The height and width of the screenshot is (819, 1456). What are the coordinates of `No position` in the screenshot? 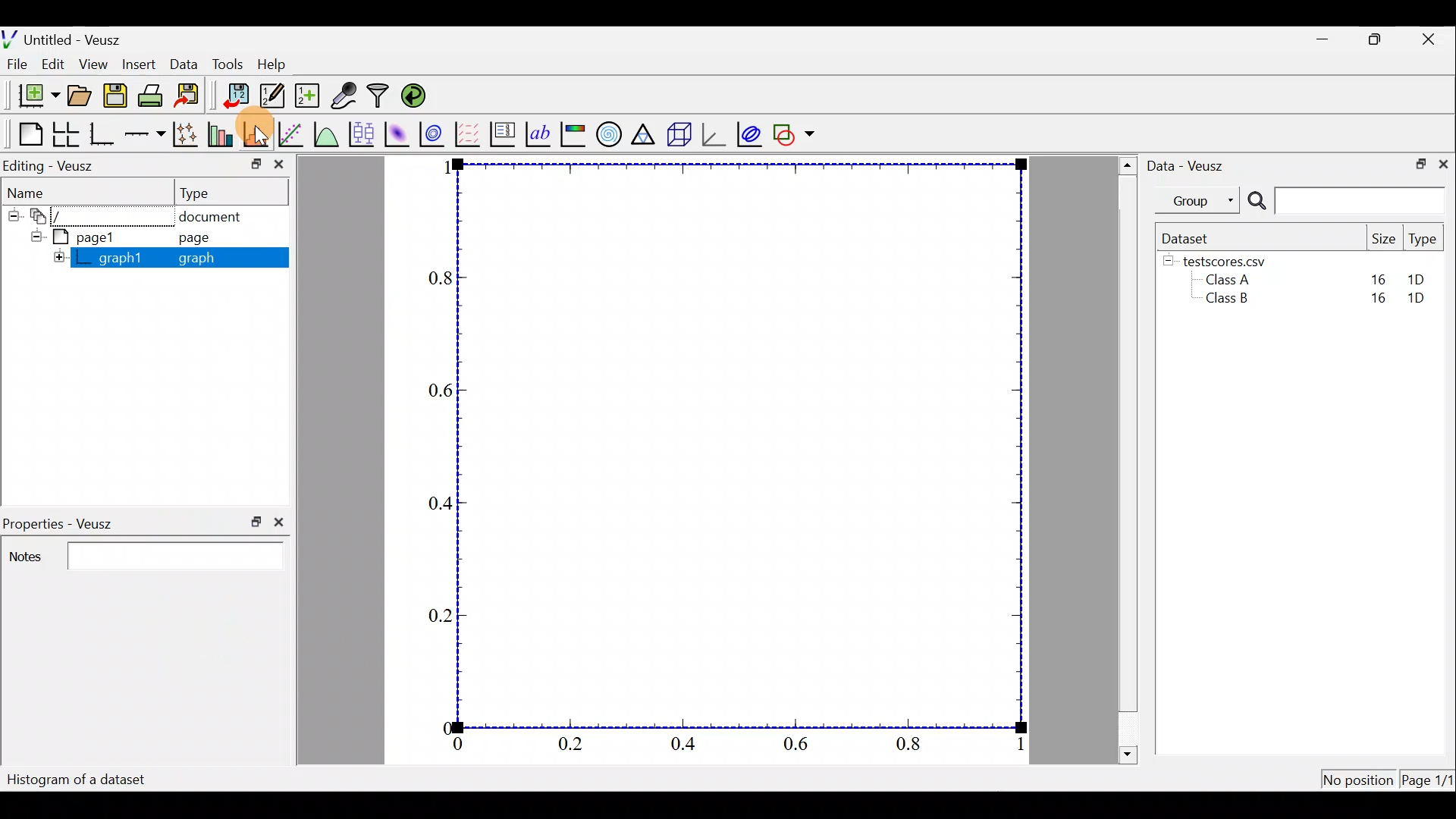 It's located at (1357, 777).